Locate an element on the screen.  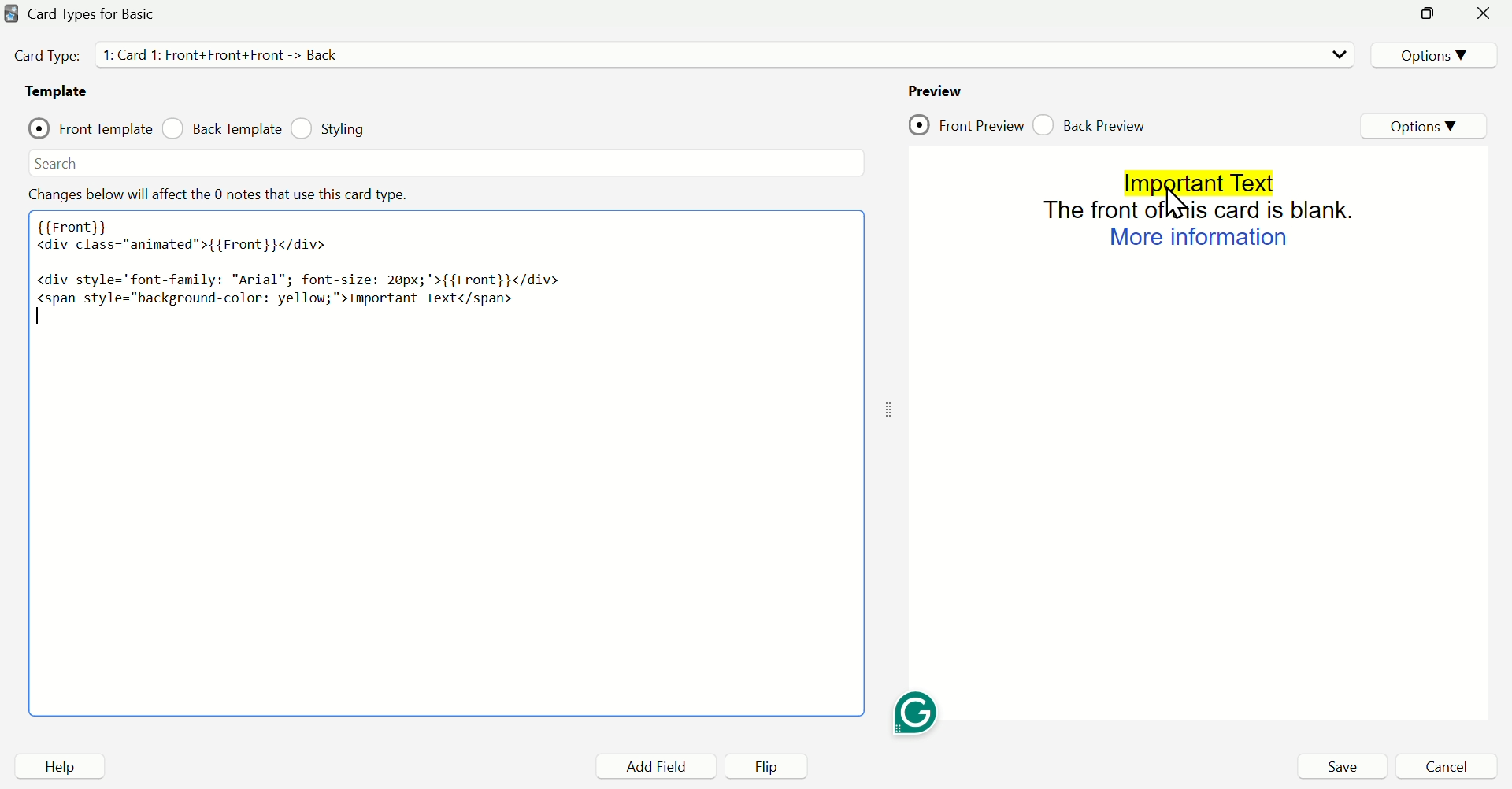
check Styling is located at coordinates (334, 130).